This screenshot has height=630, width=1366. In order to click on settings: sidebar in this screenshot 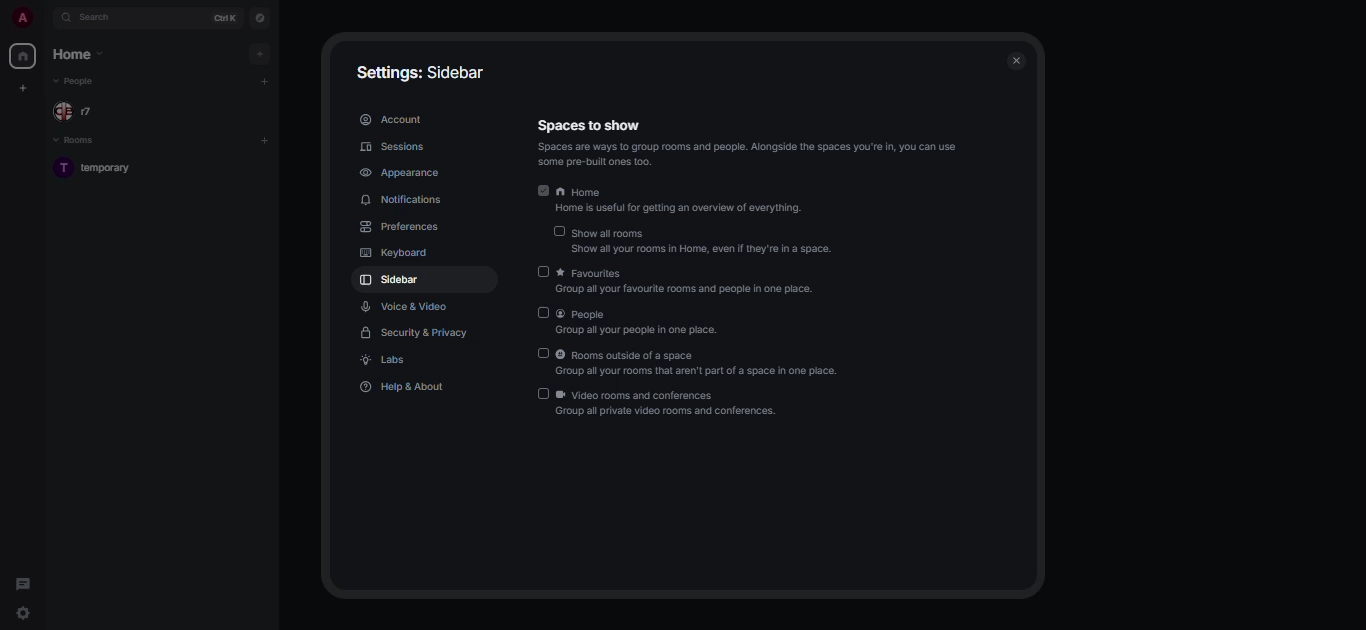, I will do `click(422, 72)`.